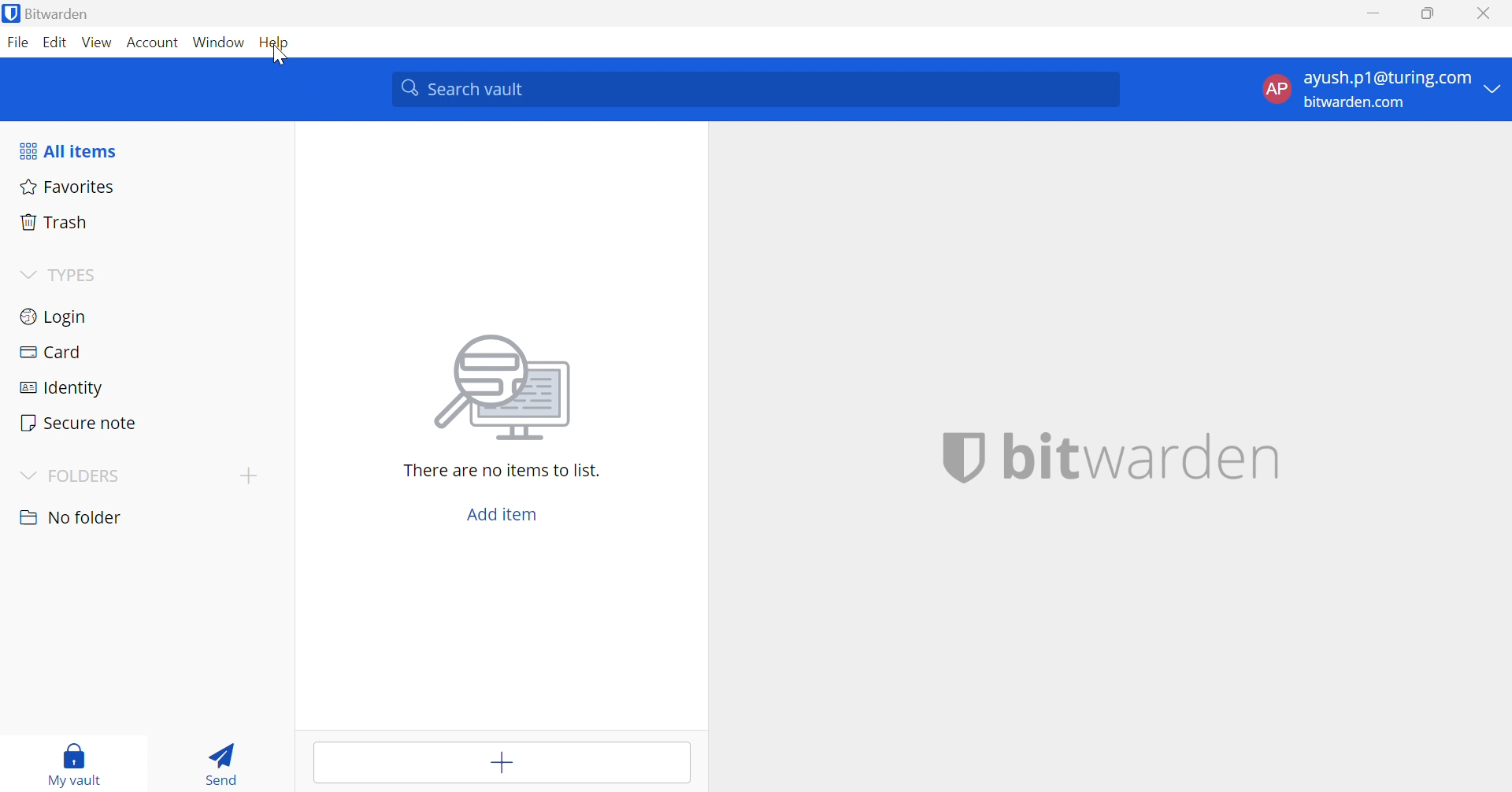 The width and height of the screenshot is (1512, 792). What do you see at coordinates (148, 355) in the screenshot?
I see `Card` at bounding box center [148, 355].